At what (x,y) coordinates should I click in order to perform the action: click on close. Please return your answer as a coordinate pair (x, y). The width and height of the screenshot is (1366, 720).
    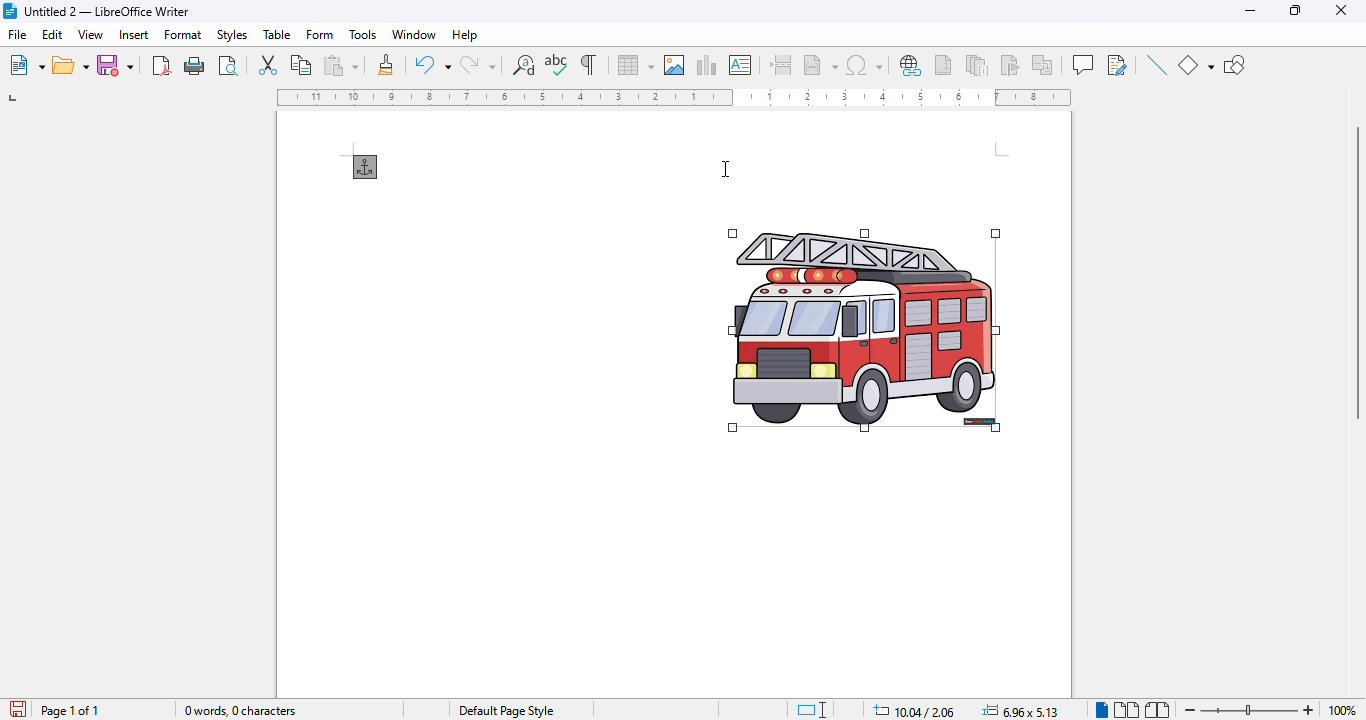
    Looking at the image, I should click on (1341, 10).